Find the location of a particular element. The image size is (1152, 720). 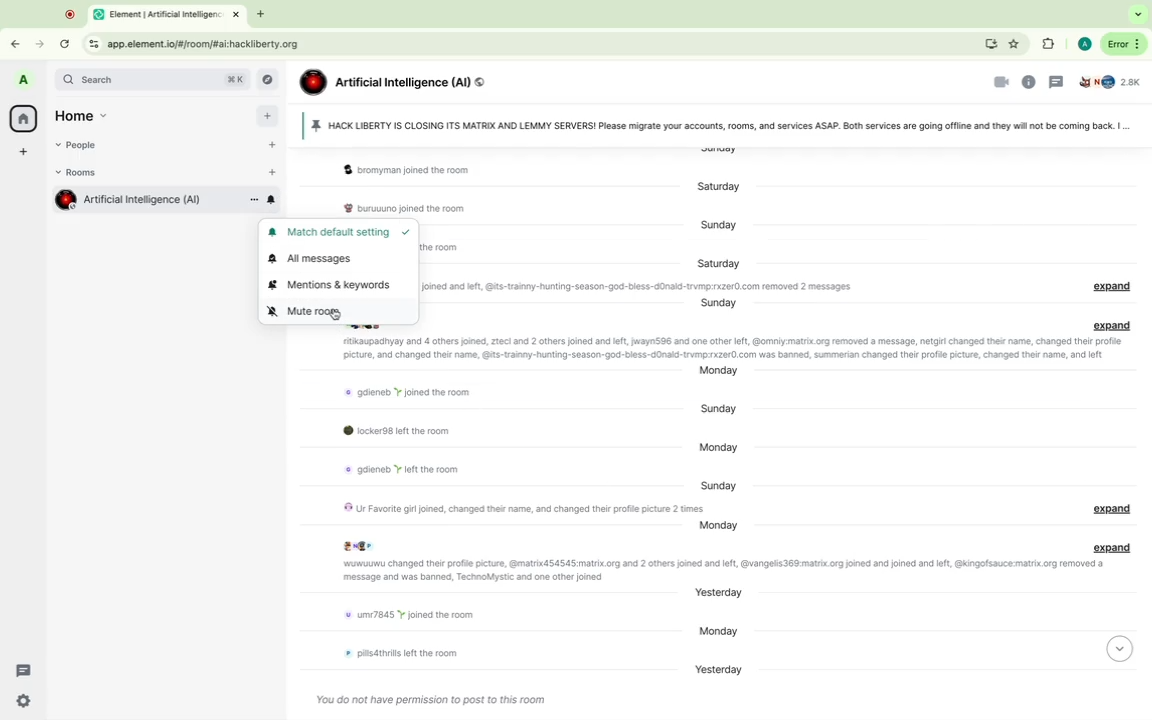

Day is located at coordinates (723, 593).